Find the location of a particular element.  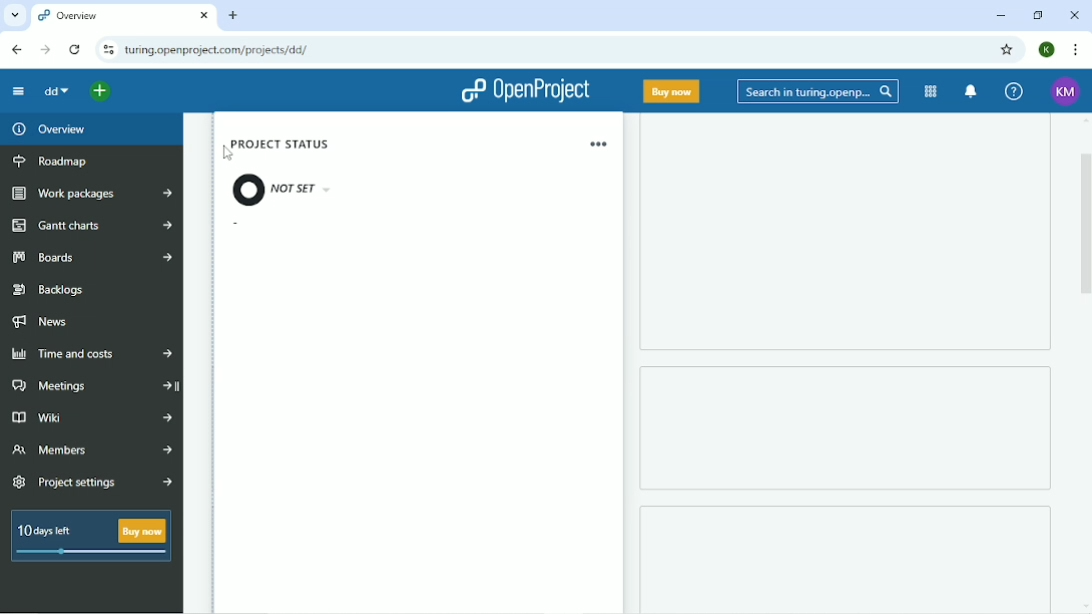

Collapse project menu is located at coordinates (19, 92).